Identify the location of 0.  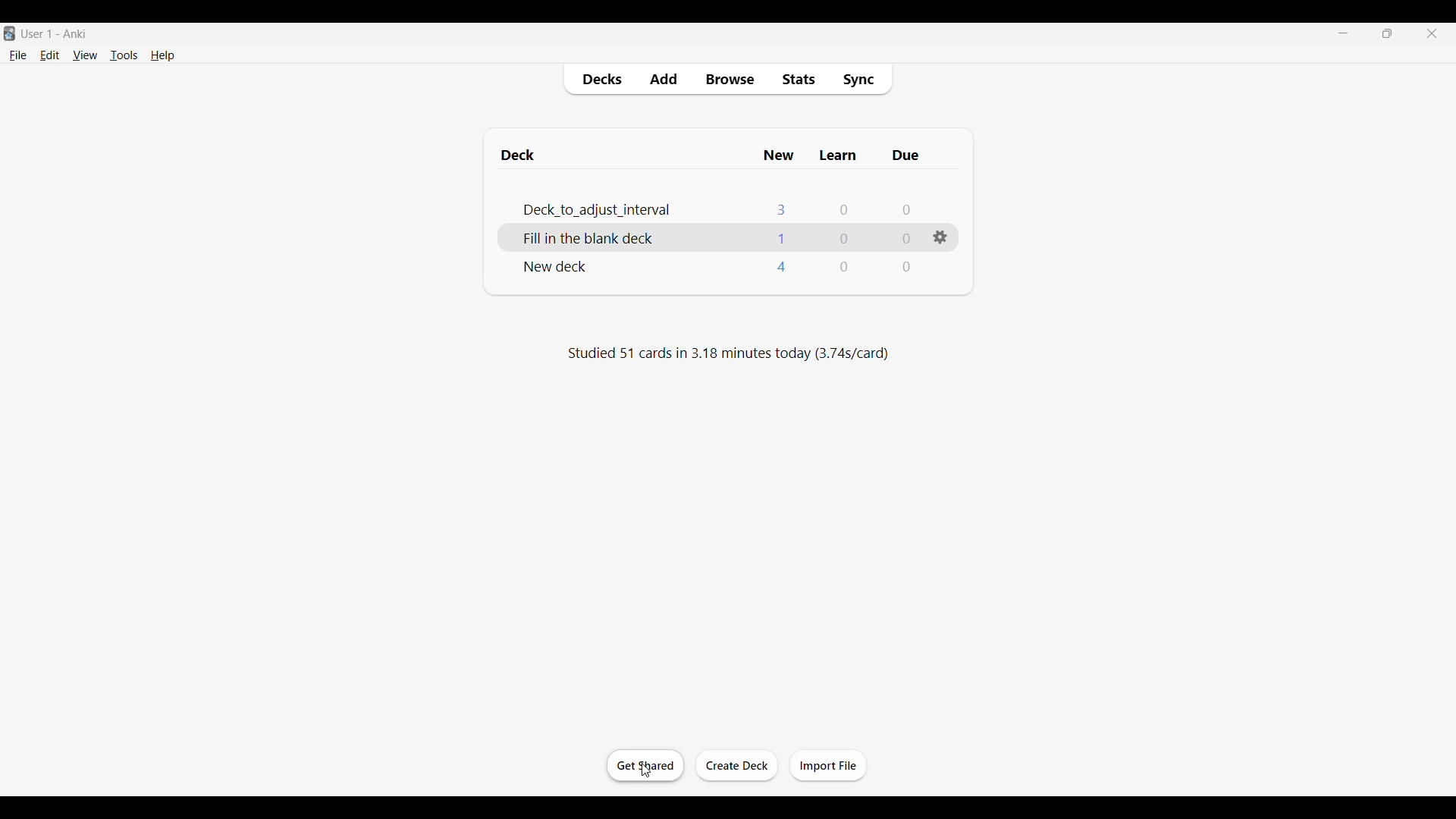
(840, 268).